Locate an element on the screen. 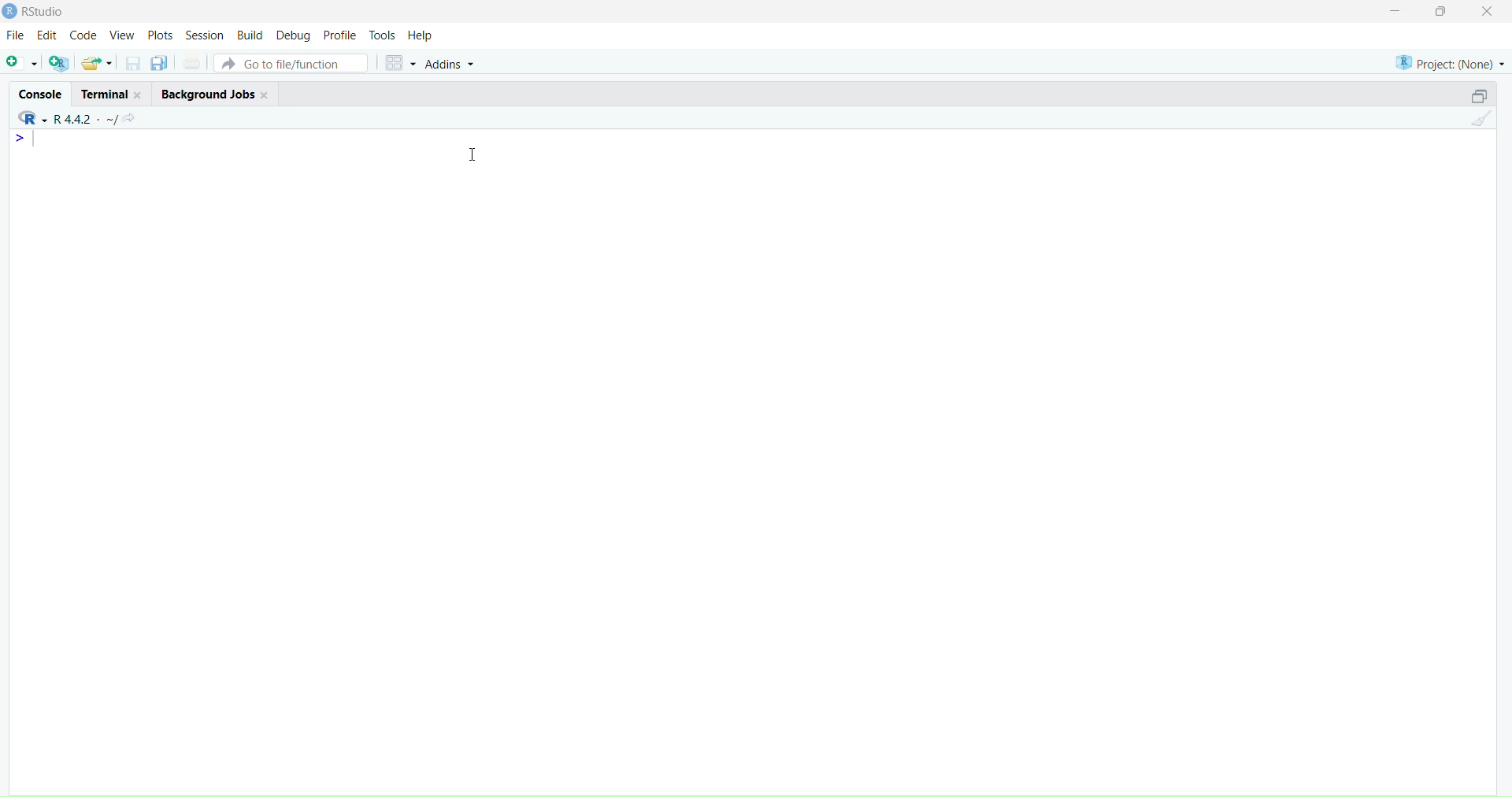 The height and width of the screenshot is (797, 1512). close is located at coordinates (1488, 11).